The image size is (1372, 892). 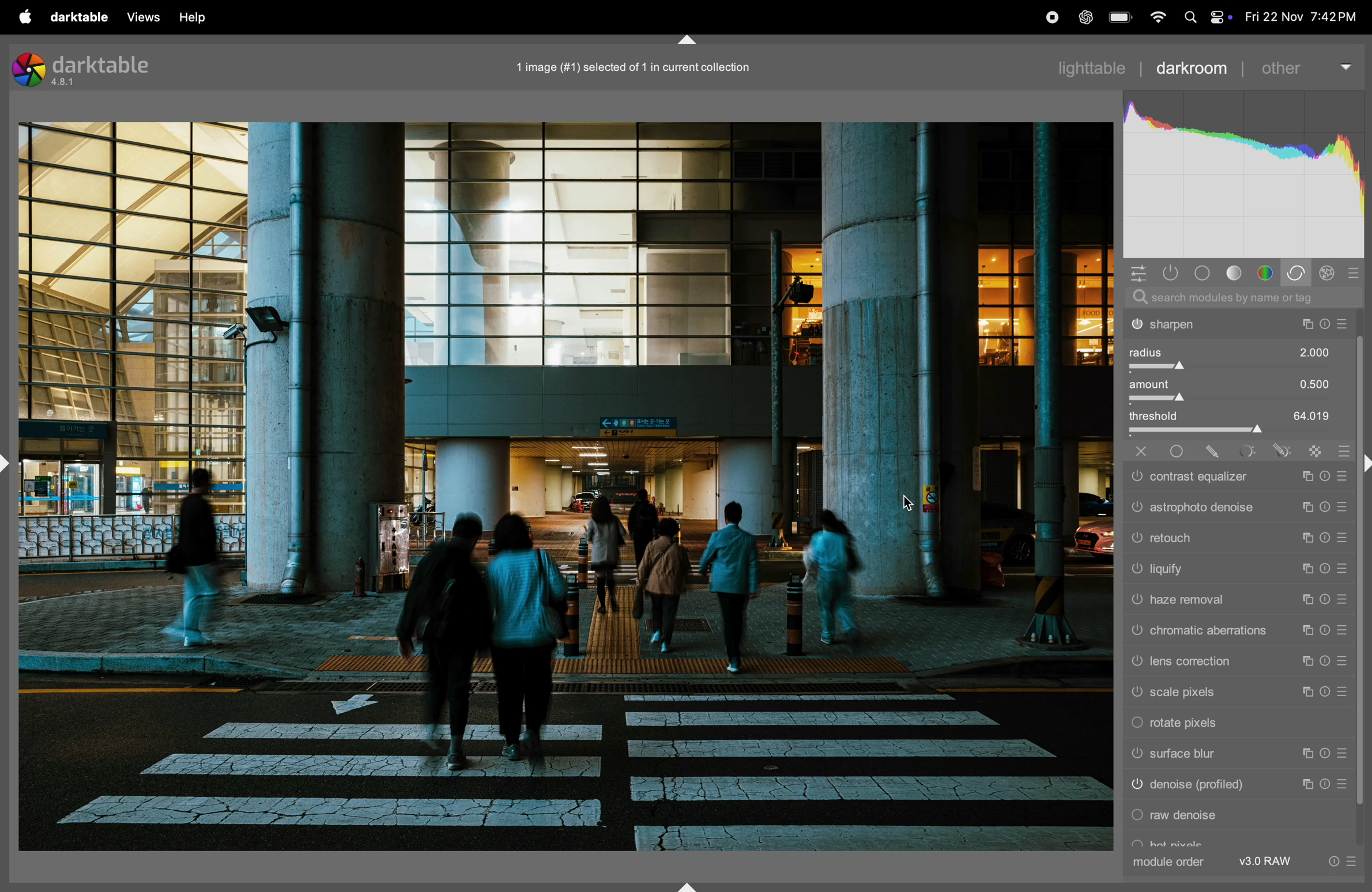 What do you see at coordinates (1237, 662) in the screenshot?
I see `lens correction` at bounding box center [1237, 662].